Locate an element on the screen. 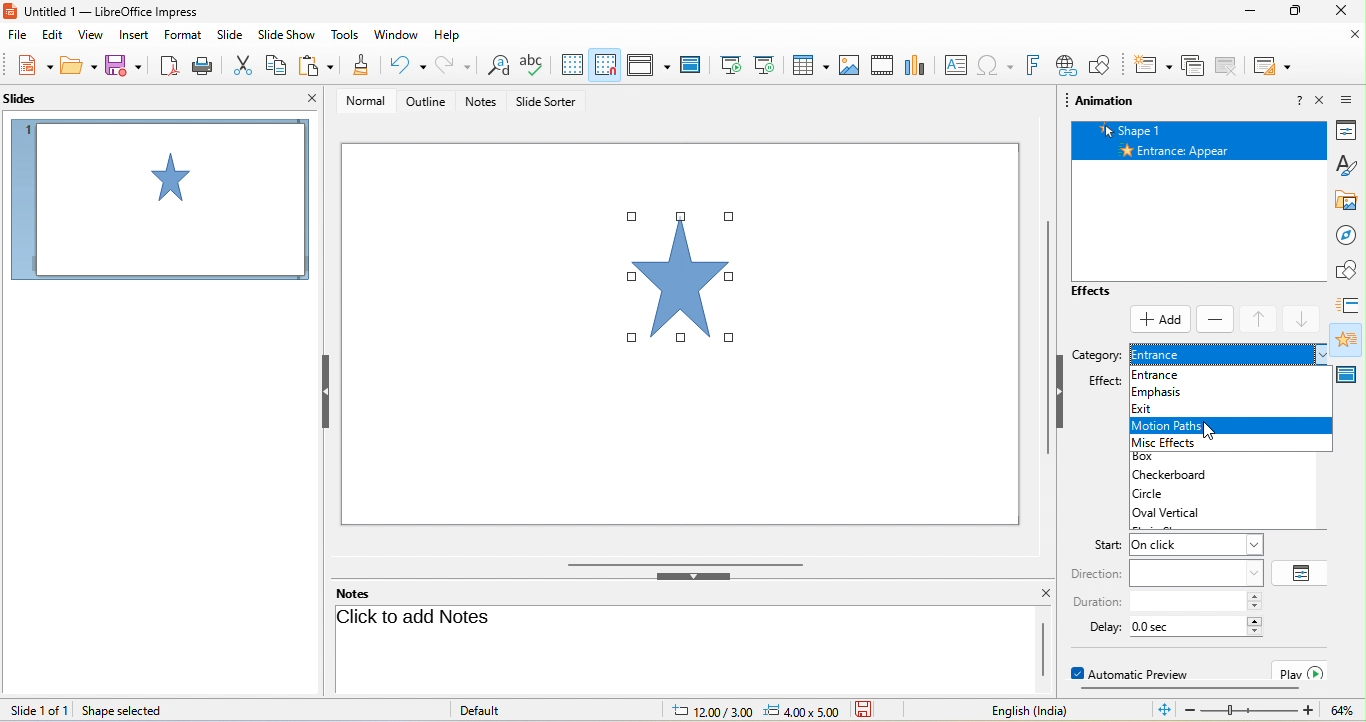  window is located at coordinates (399, 37).